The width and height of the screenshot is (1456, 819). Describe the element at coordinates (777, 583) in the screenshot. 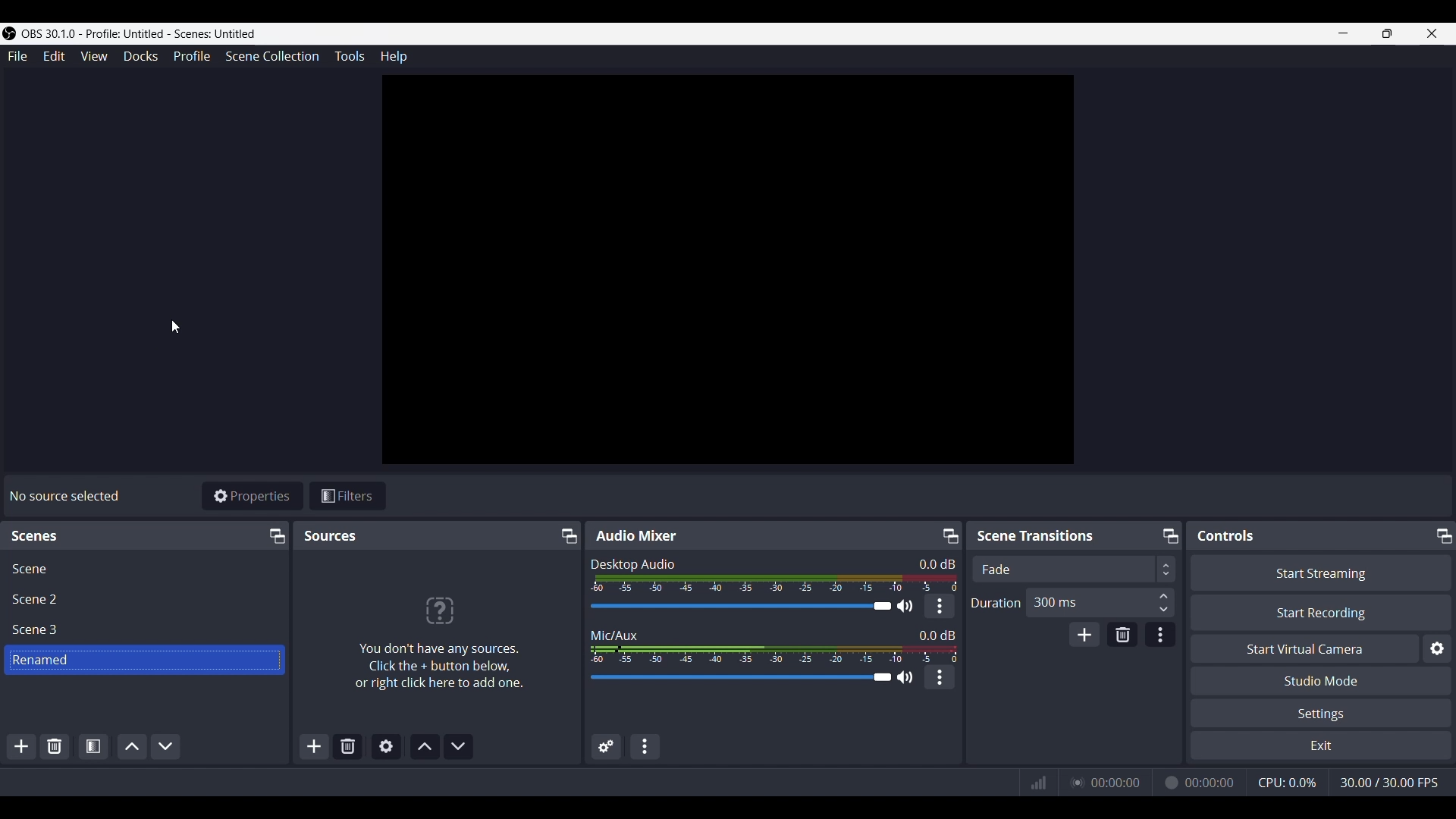

I see `Volume Meter` at that location.